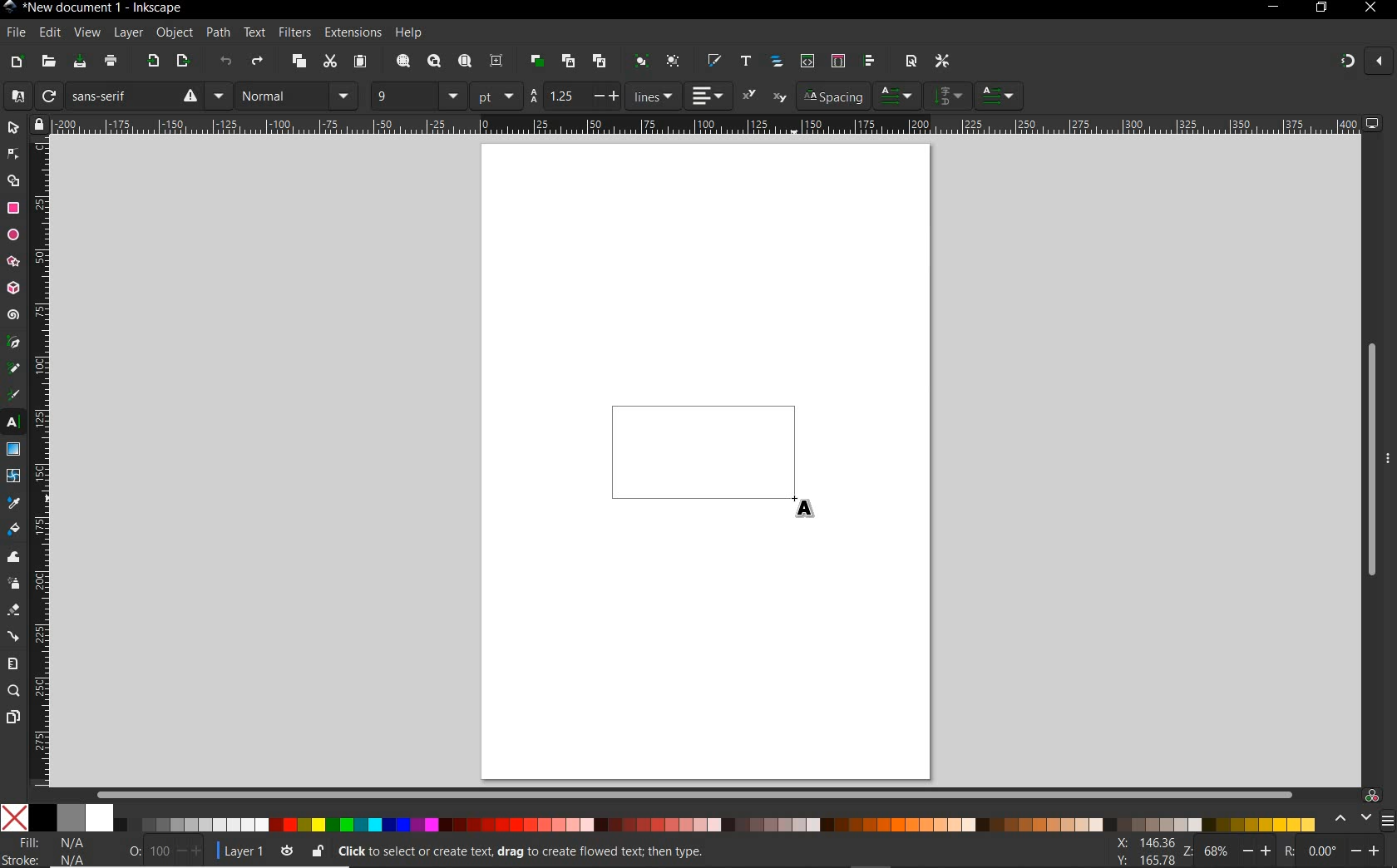  What do you see at coordinates (360, 62) in the screenshot?
I see `paste` at bounding box center [360, 62].